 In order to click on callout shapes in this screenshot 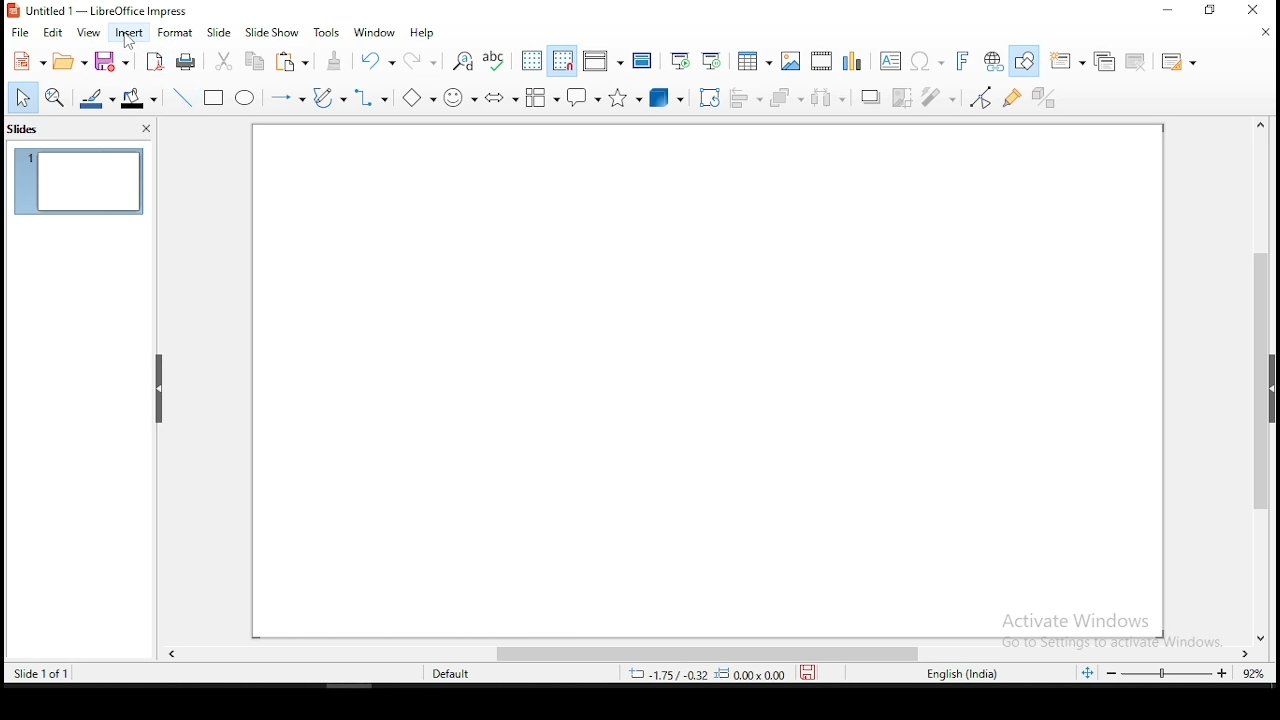, I will do `click(587, 97)`.